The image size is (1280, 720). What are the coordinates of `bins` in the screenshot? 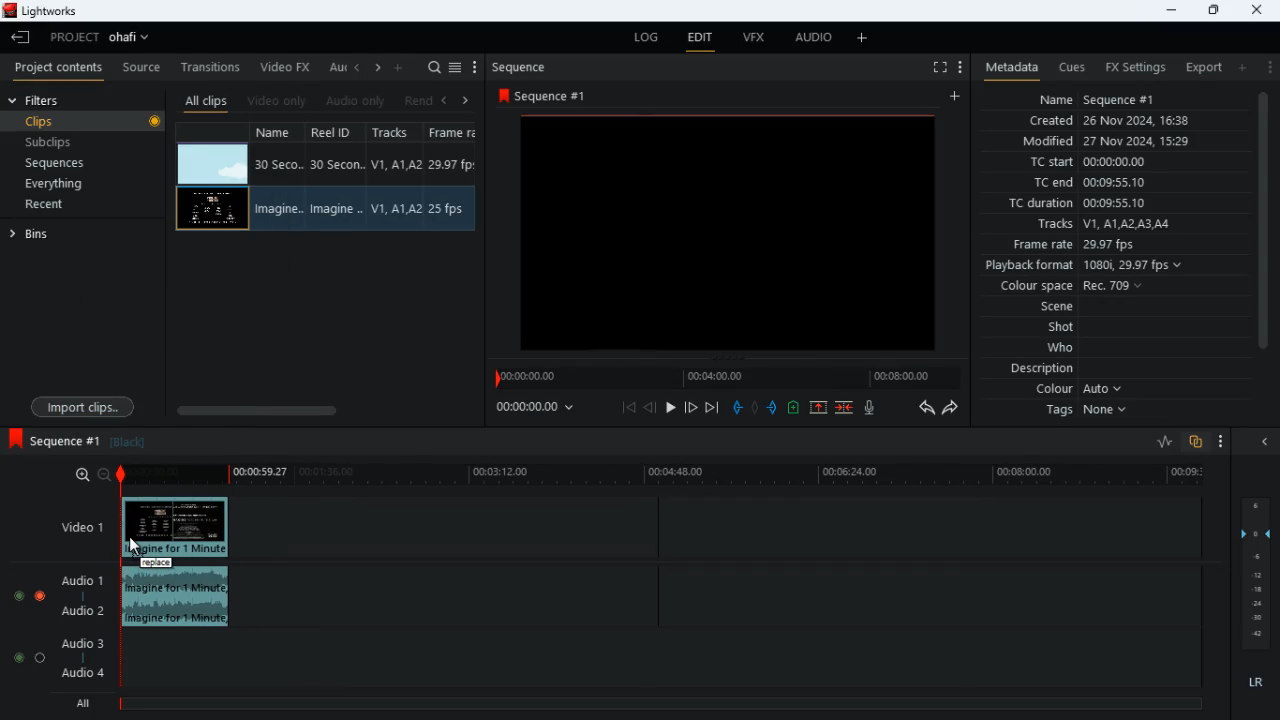 It's located at (82, 233).